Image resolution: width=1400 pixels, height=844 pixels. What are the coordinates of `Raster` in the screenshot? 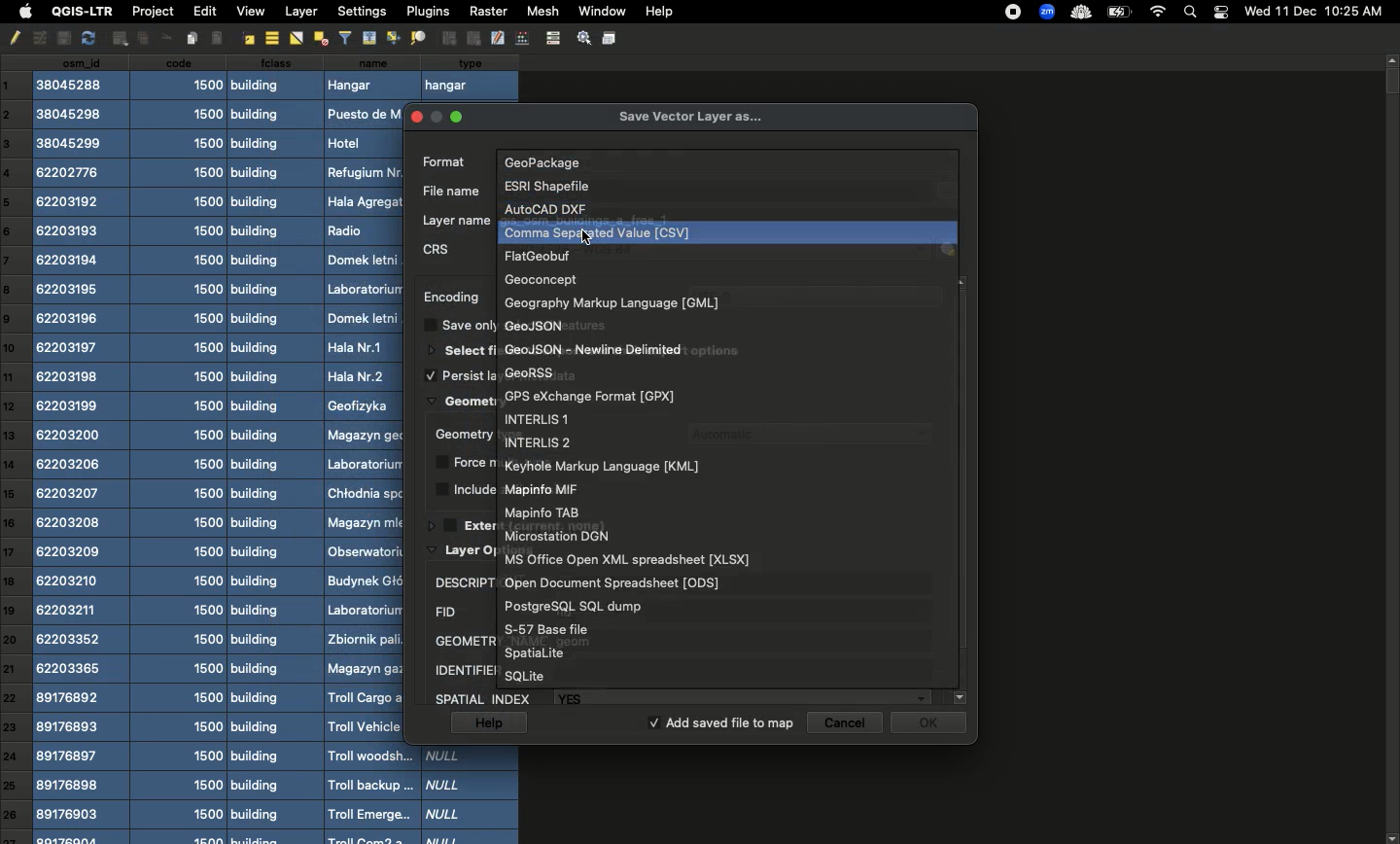 It's located at (487, 11).